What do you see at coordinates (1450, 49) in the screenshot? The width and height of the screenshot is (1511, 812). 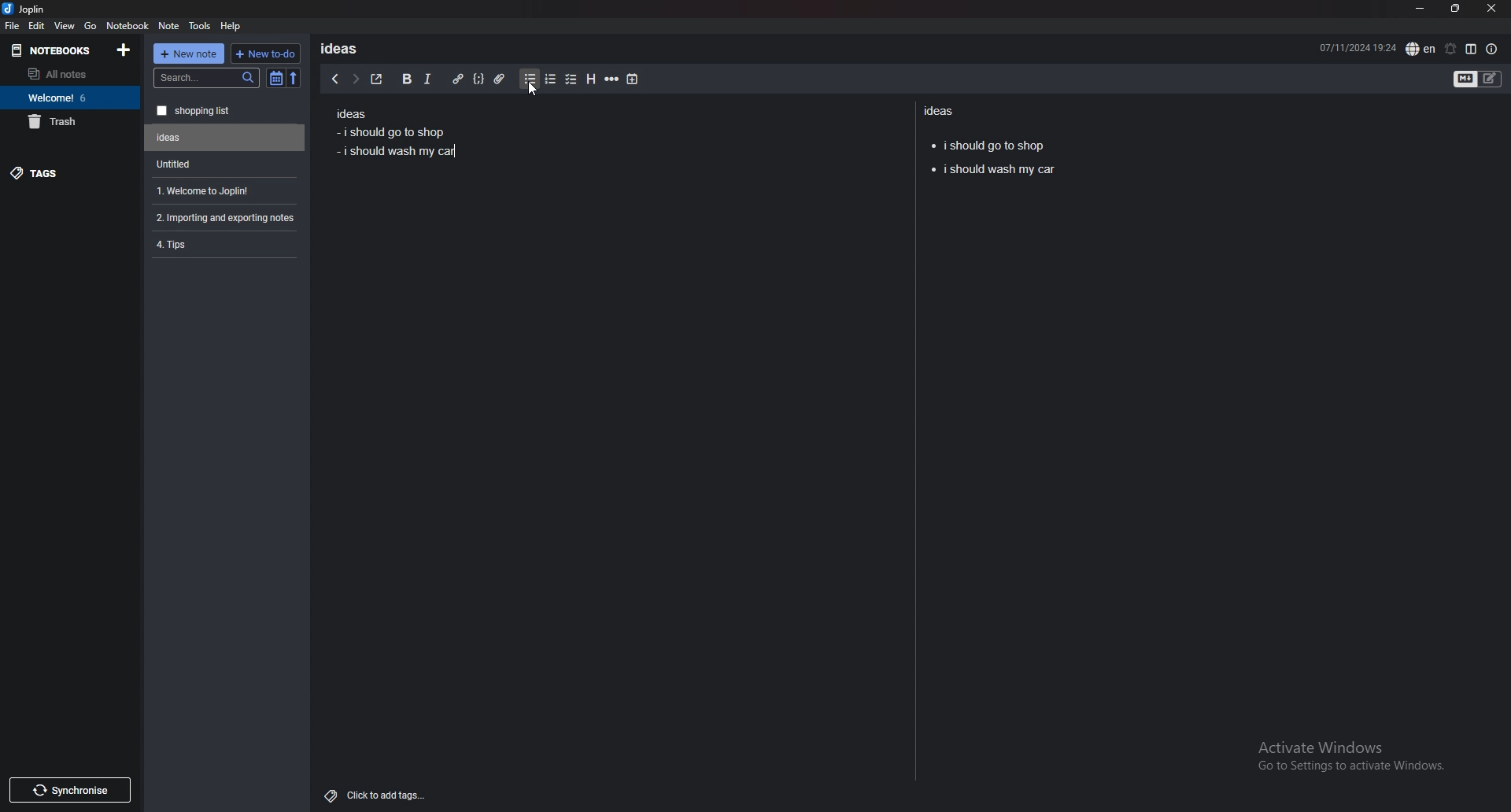 I see `set alarm` at bounding box center [1450, 49].